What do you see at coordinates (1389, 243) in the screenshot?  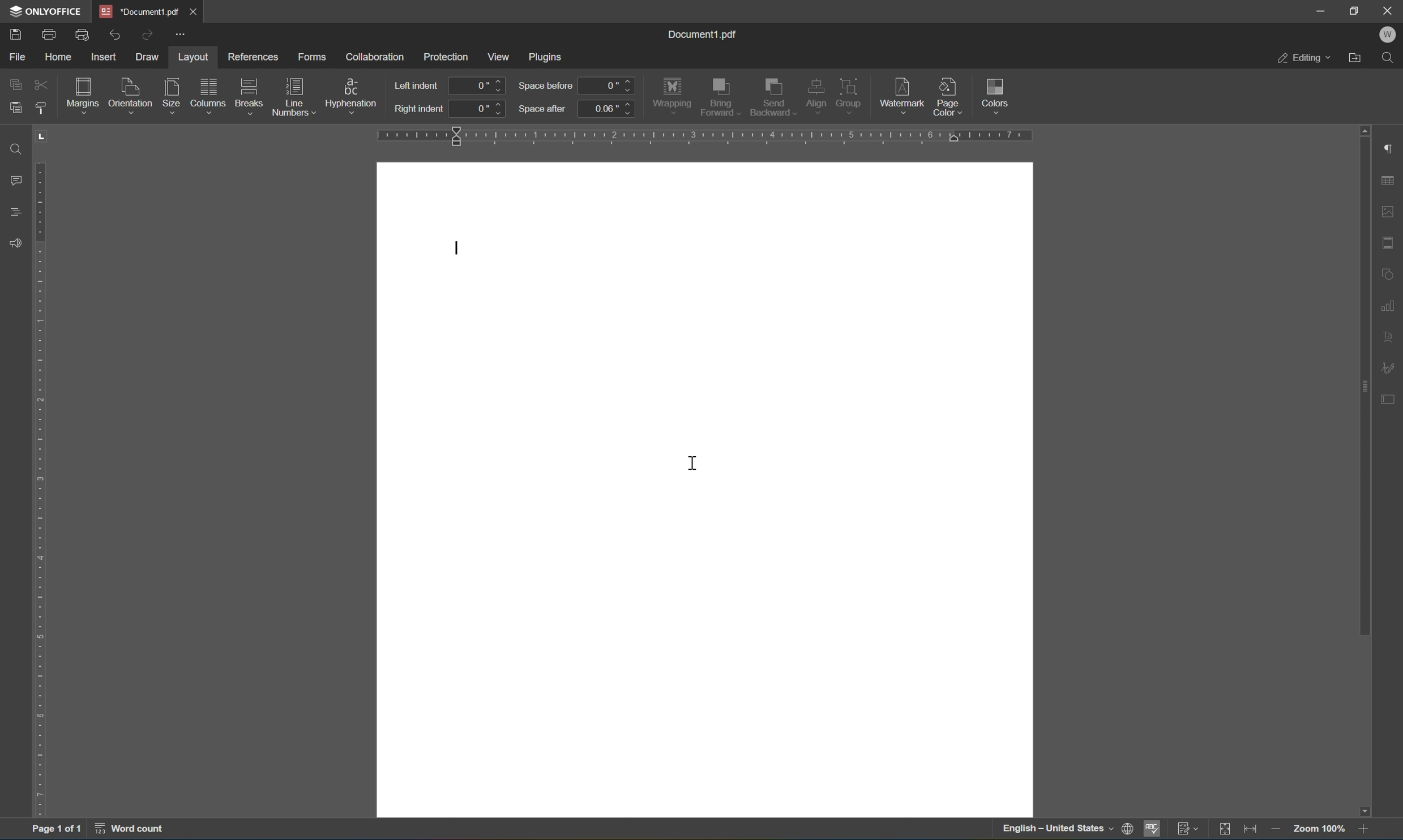 I see `header & footer settings` at bounding box center [1389, 243].